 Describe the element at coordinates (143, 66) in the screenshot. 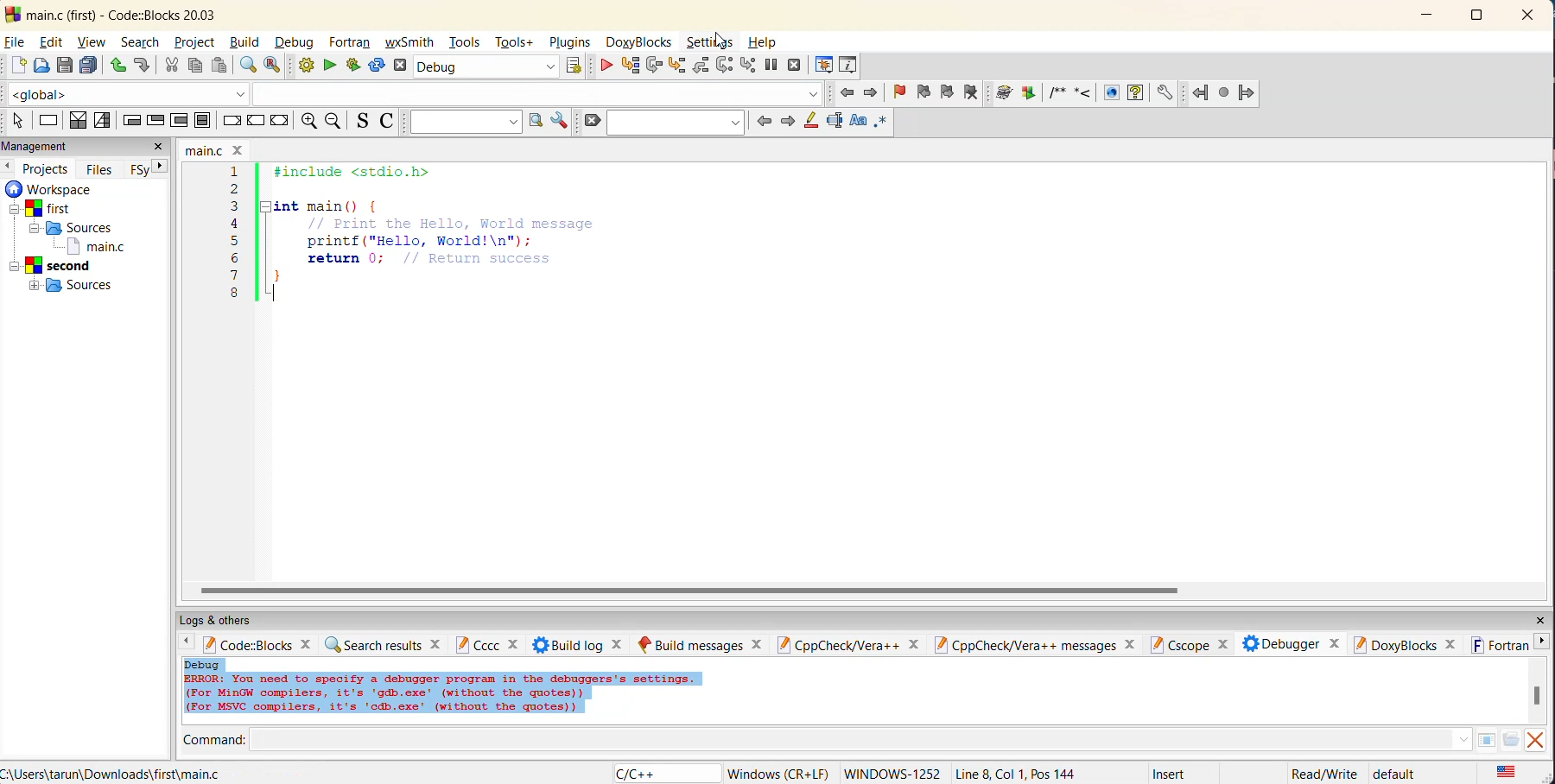

I see `redo` at that location.